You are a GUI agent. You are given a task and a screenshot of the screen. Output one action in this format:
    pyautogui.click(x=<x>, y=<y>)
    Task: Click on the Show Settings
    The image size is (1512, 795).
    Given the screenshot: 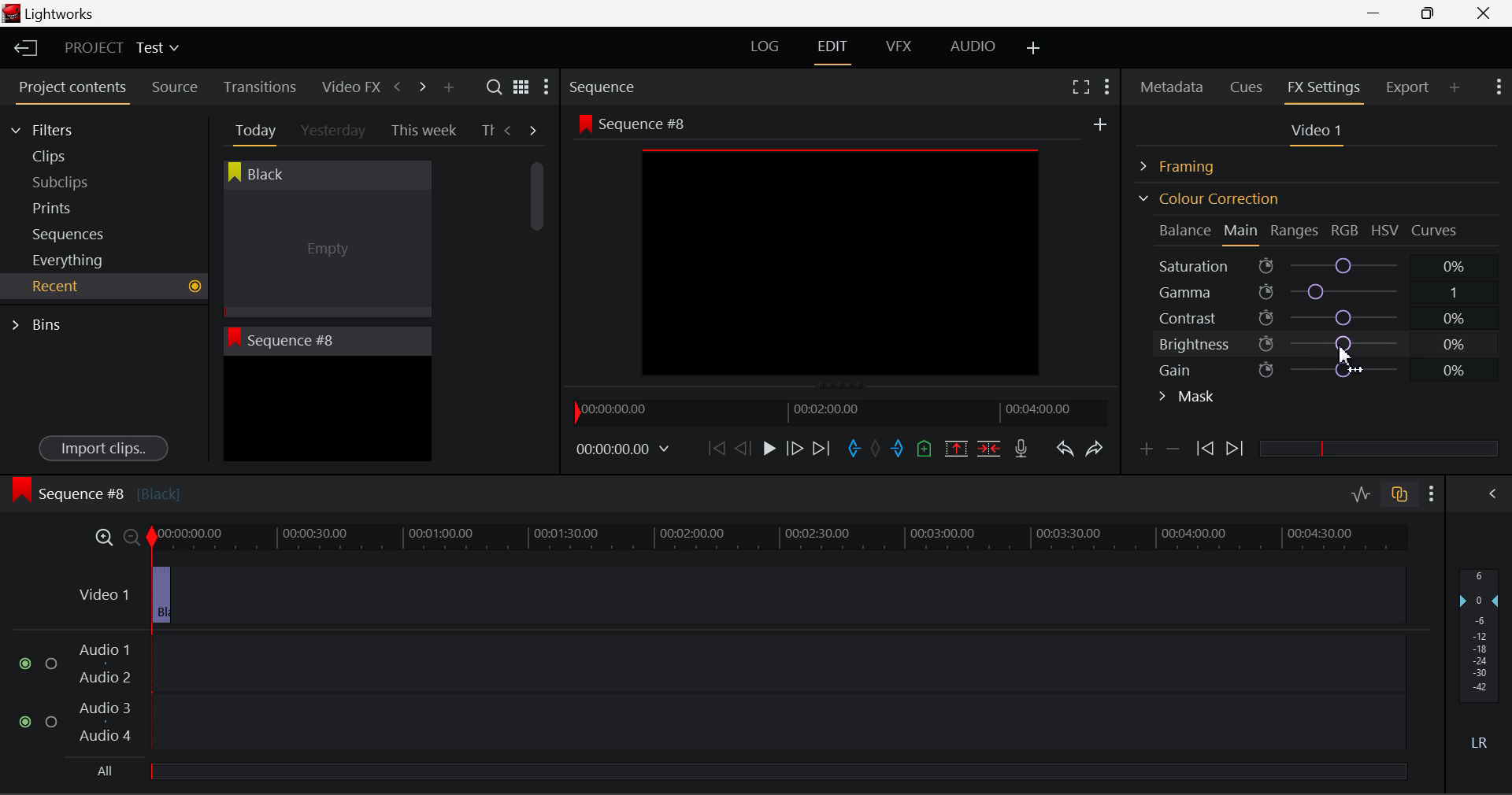 What is the action you would take?
    pyautogui.click(x=1497, y=85)
    